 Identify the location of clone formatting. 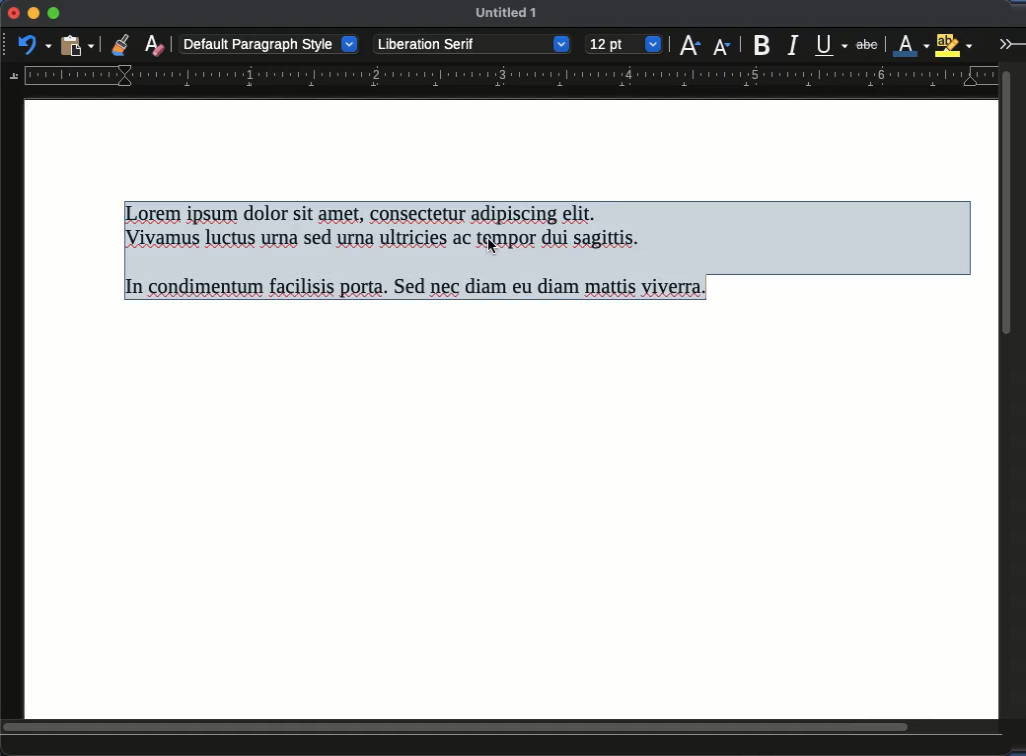
(120, 44).